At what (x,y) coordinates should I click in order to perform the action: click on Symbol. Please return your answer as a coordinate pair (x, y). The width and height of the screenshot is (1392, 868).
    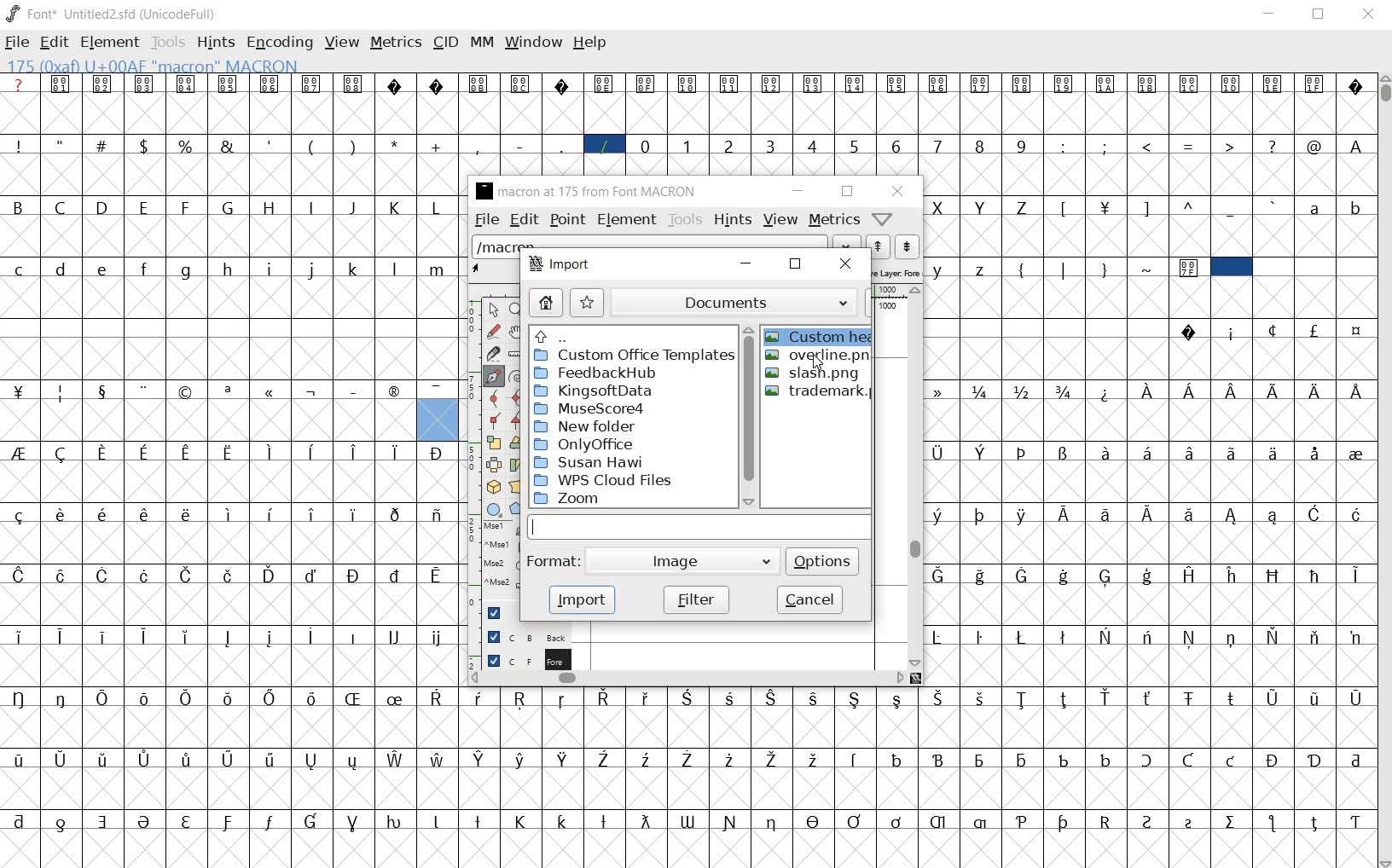
    Looking at the image, I should click on (606, 698).